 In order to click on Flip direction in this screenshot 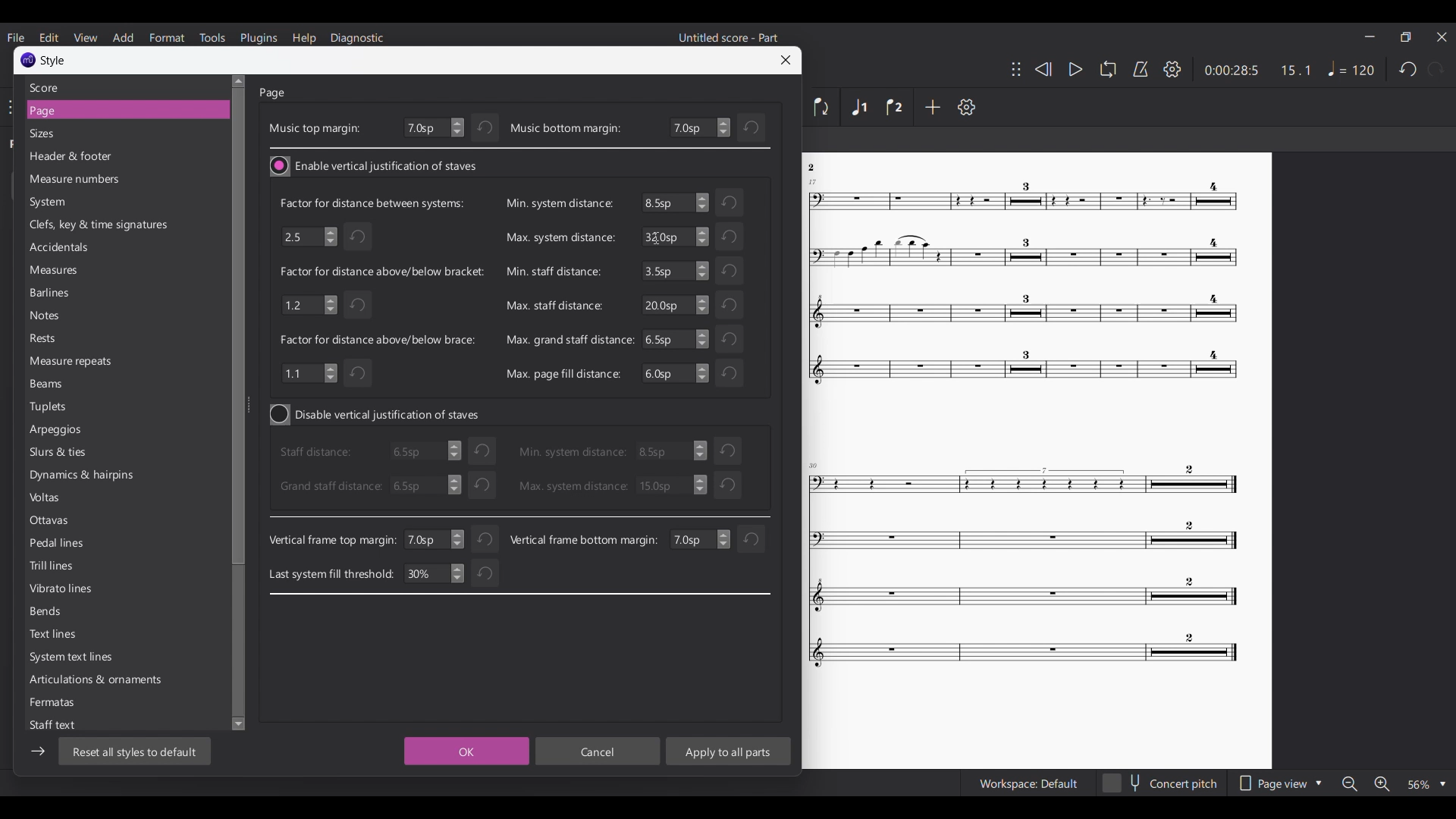, I will do `click(822, 107)`.